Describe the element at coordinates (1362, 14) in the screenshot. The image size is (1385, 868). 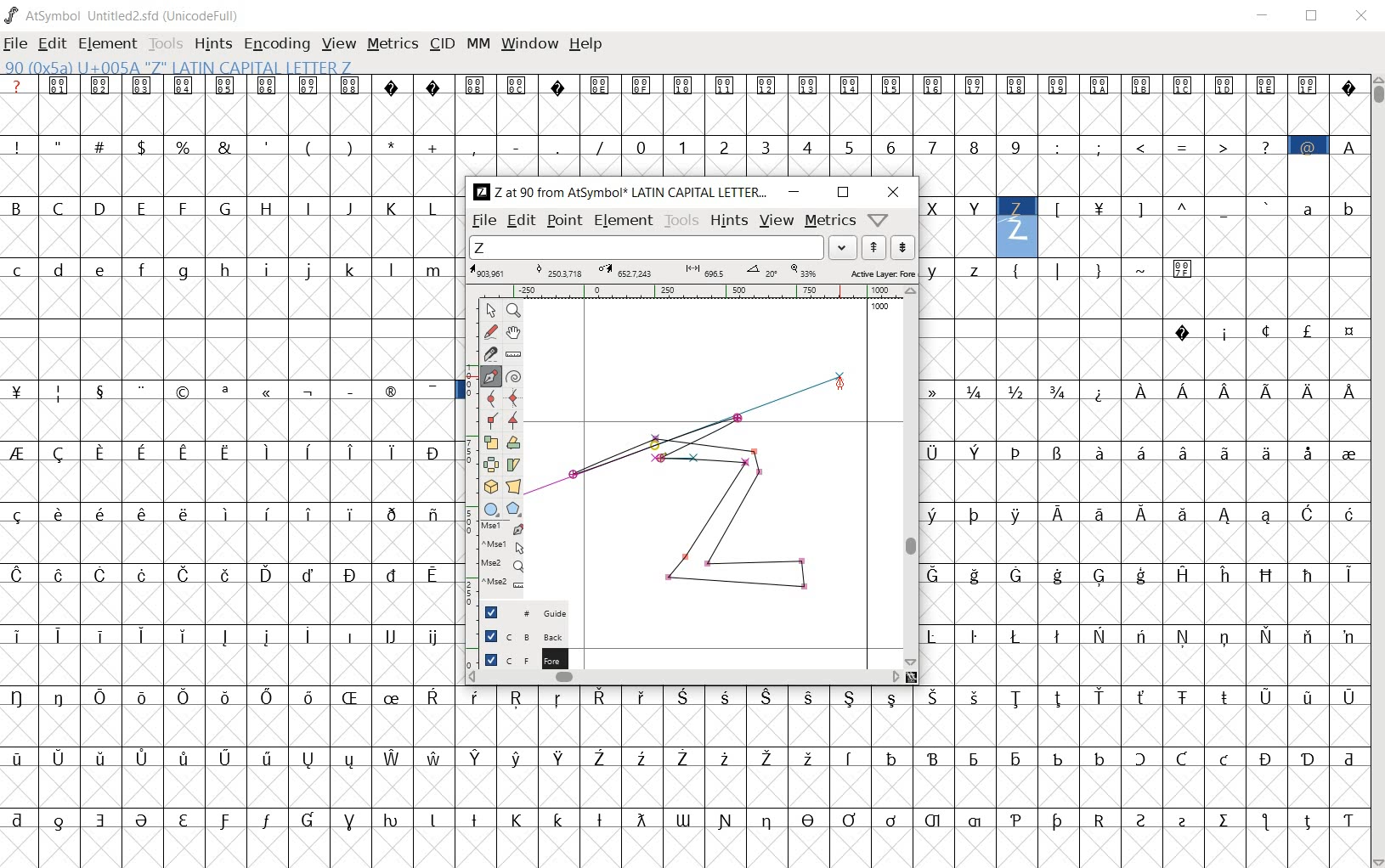
I see `close` at that location.